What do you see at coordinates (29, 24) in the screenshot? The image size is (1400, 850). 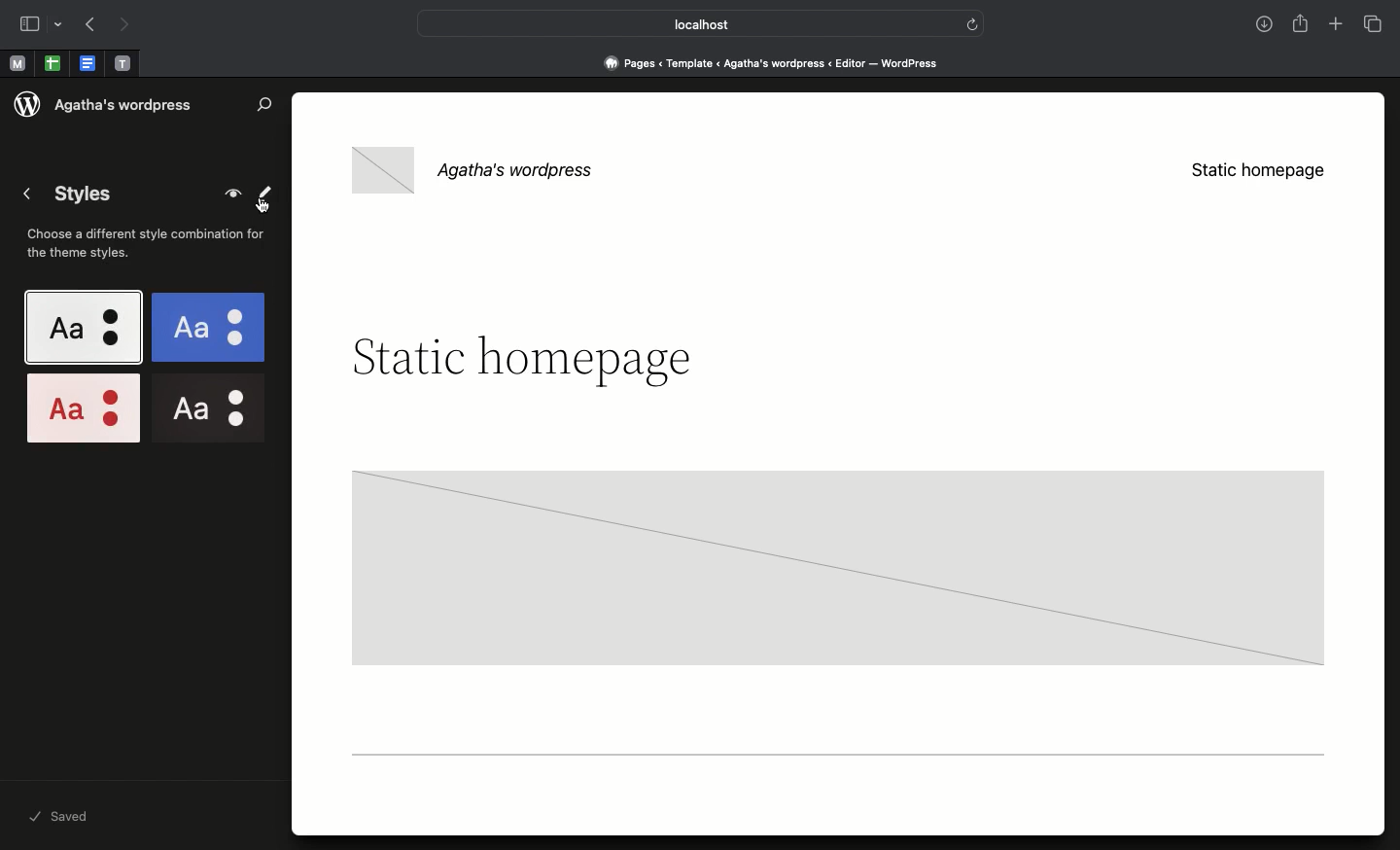 I see `Sidebar` at bounding box center [29, 24].